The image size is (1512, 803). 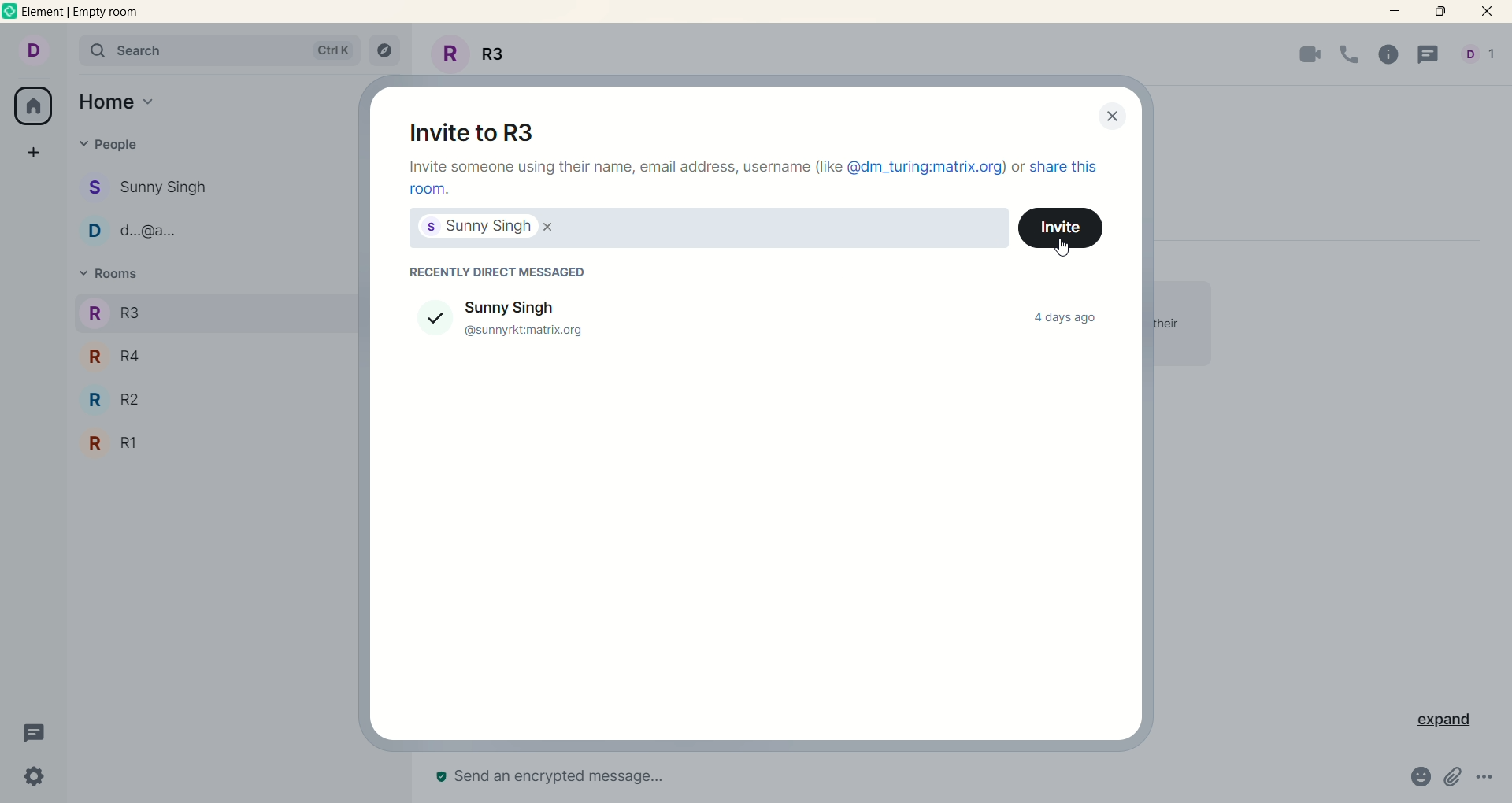 I want to click on send an encrypted message, so click(x=589, y=768).